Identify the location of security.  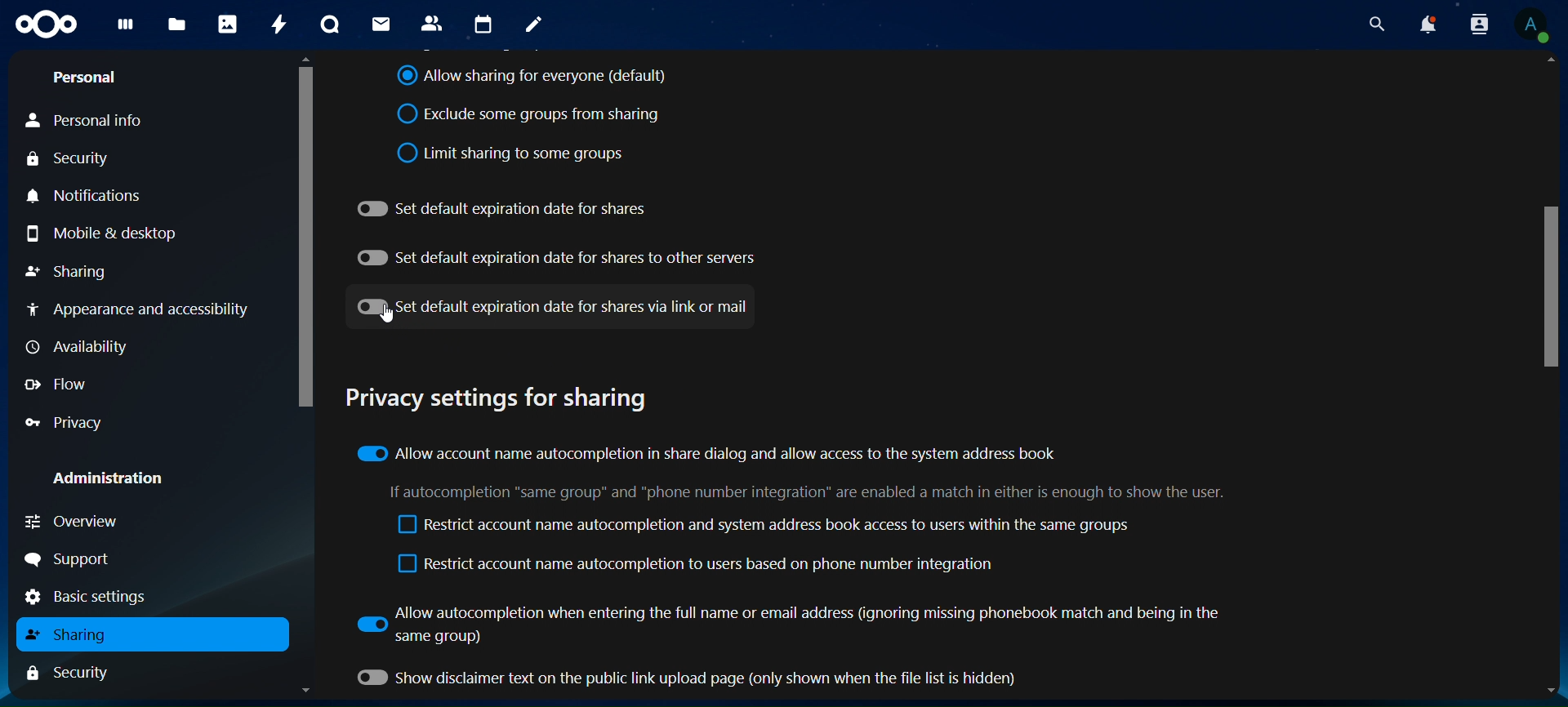
(70, 158).